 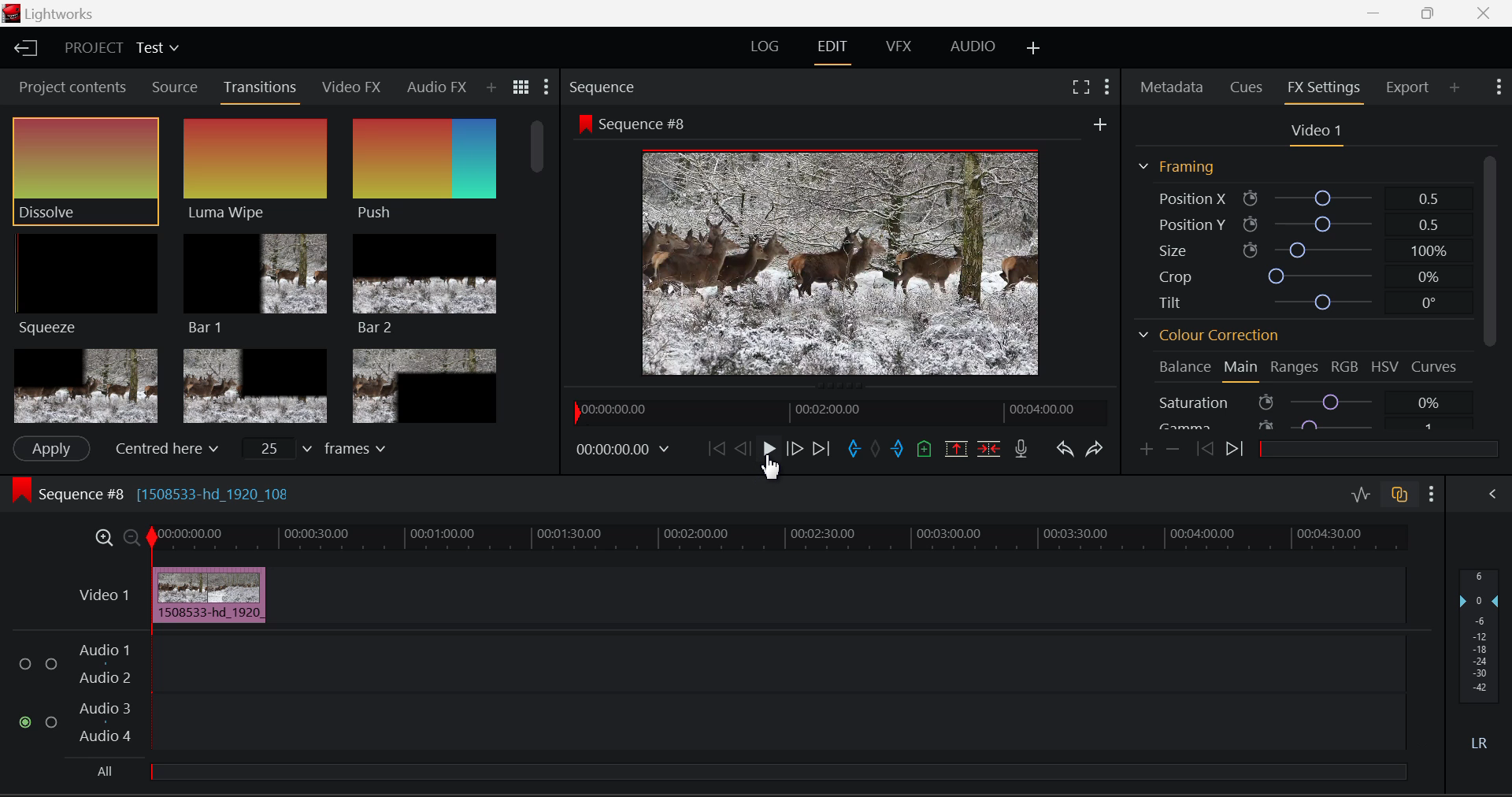 I want to click on Show Settings, so click(x=547, y=86).